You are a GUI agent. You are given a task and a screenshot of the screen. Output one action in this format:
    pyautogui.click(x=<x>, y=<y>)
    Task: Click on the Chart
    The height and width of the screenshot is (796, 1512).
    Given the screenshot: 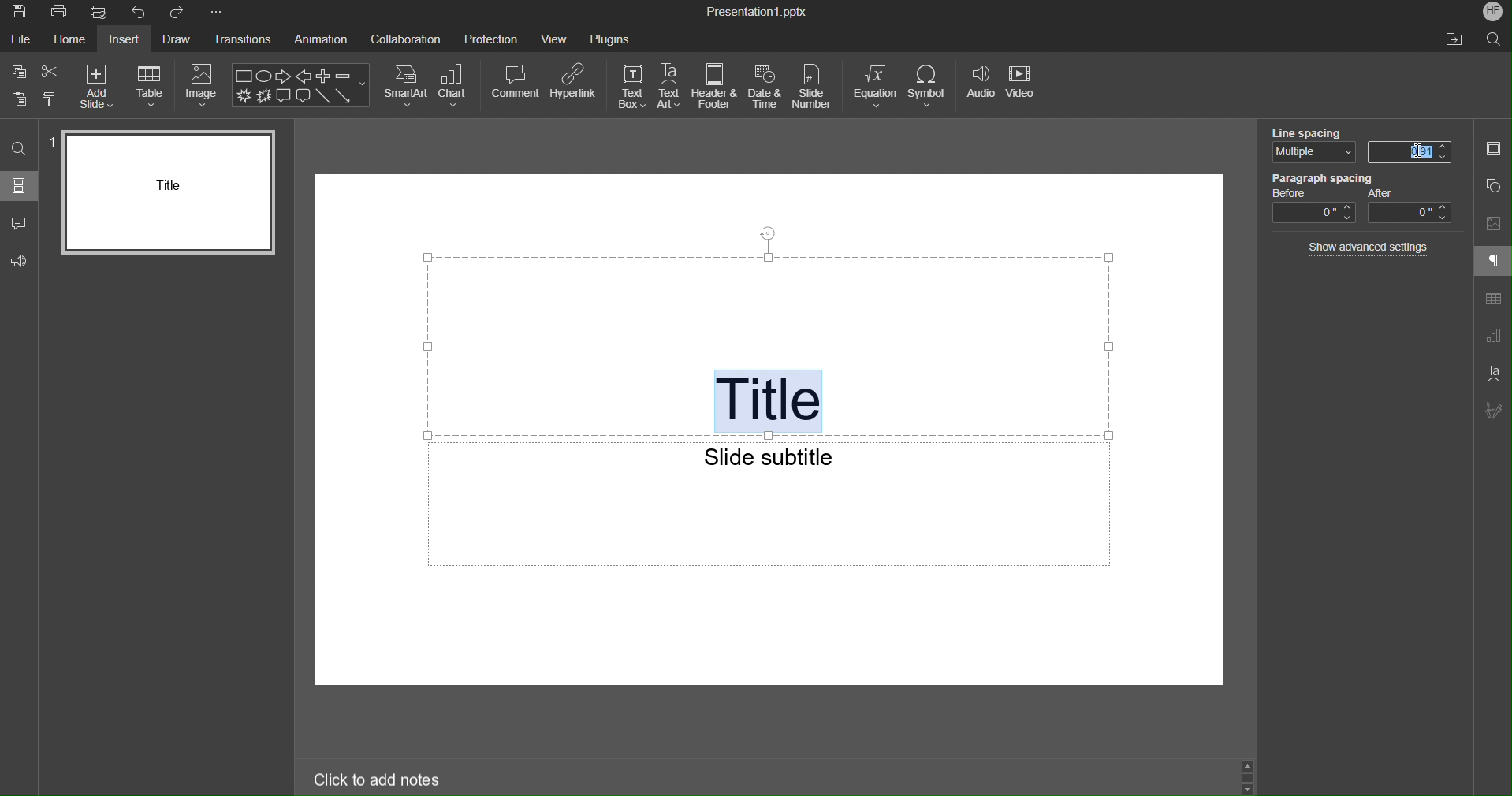 What is the action you would take?
    pyautogui.click(x=457, y=86)
    